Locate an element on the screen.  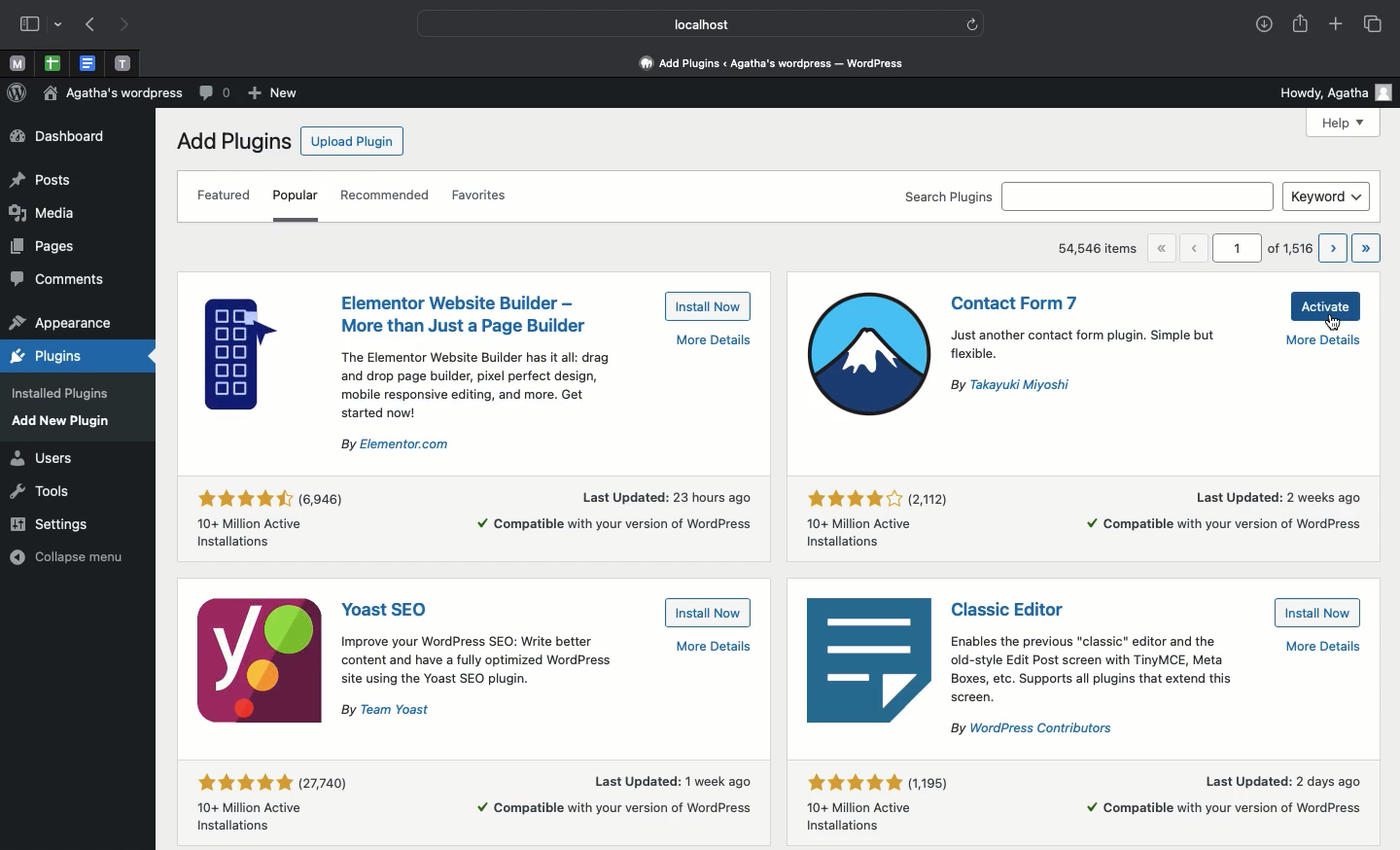
Favorites is located at coordinates (477, 195).